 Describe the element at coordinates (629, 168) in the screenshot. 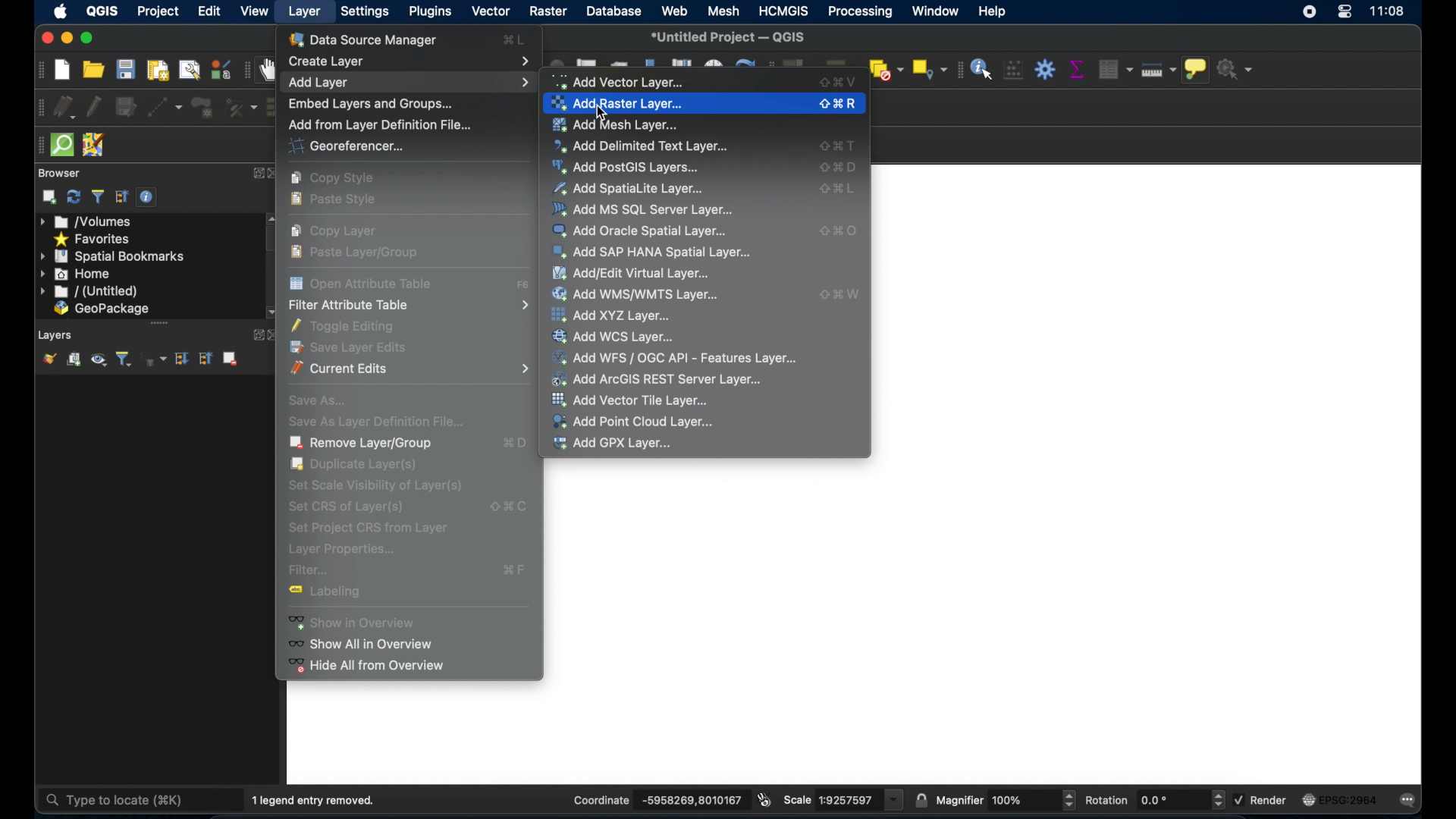

I see `add postgis layers` at that location.